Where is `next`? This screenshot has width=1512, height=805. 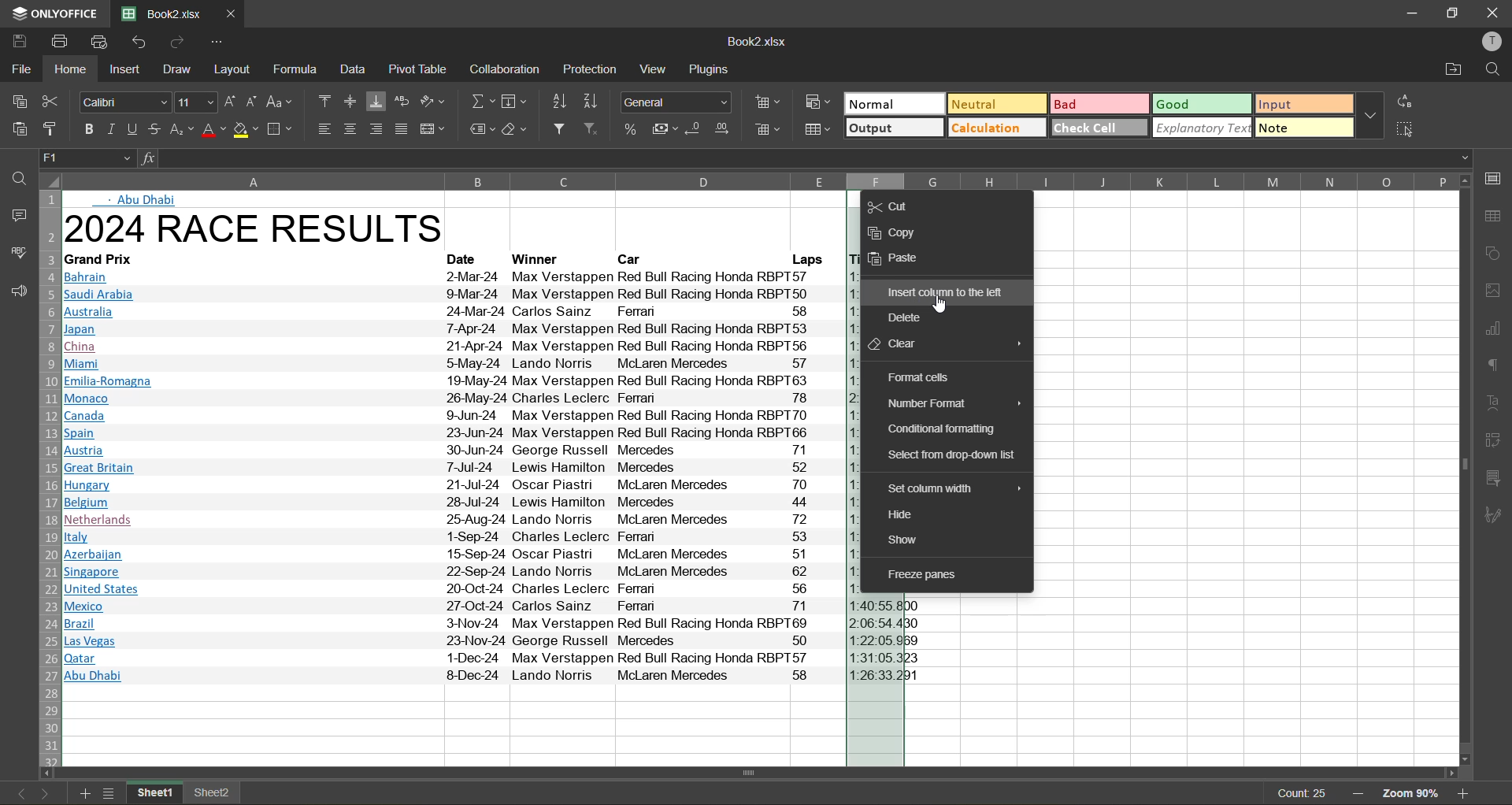
next is located at coordinates (42, 792).